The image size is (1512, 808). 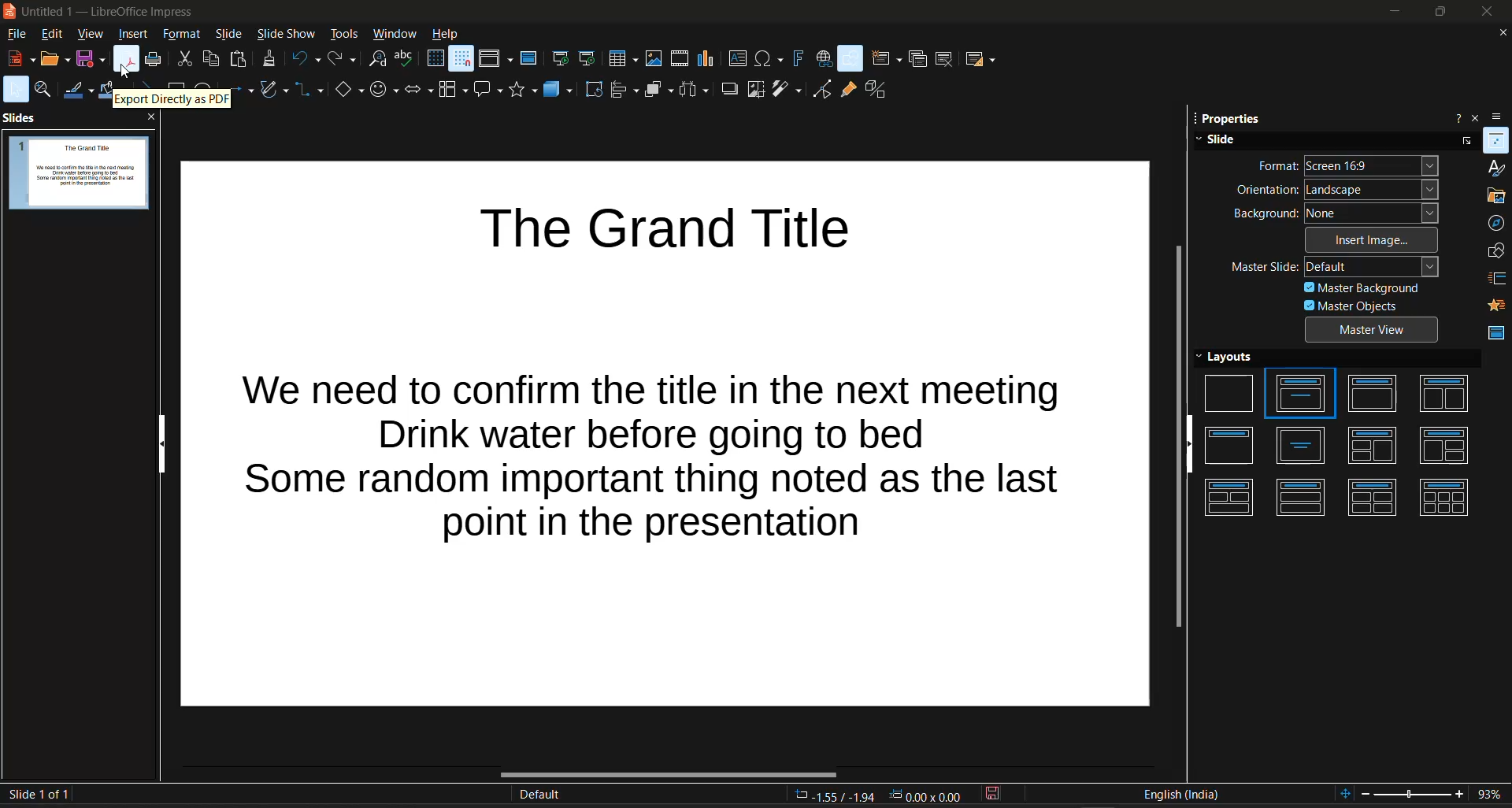 What do you see at coordinates (416, 89) in the screenshot?
I see `block arrows` at bounding box center [416, 89].